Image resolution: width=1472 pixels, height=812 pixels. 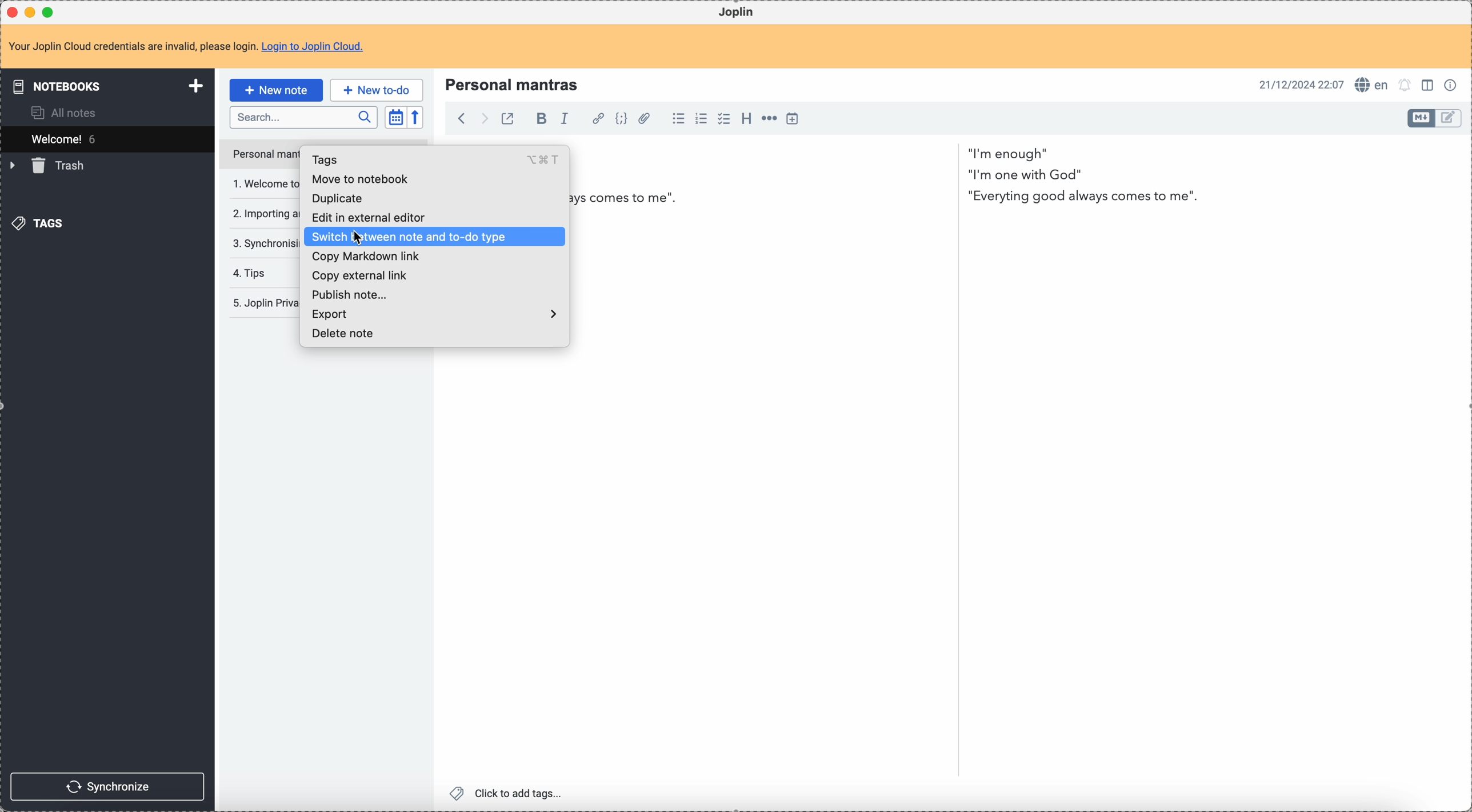 I want to click on bold, so click(x=541, y=119).